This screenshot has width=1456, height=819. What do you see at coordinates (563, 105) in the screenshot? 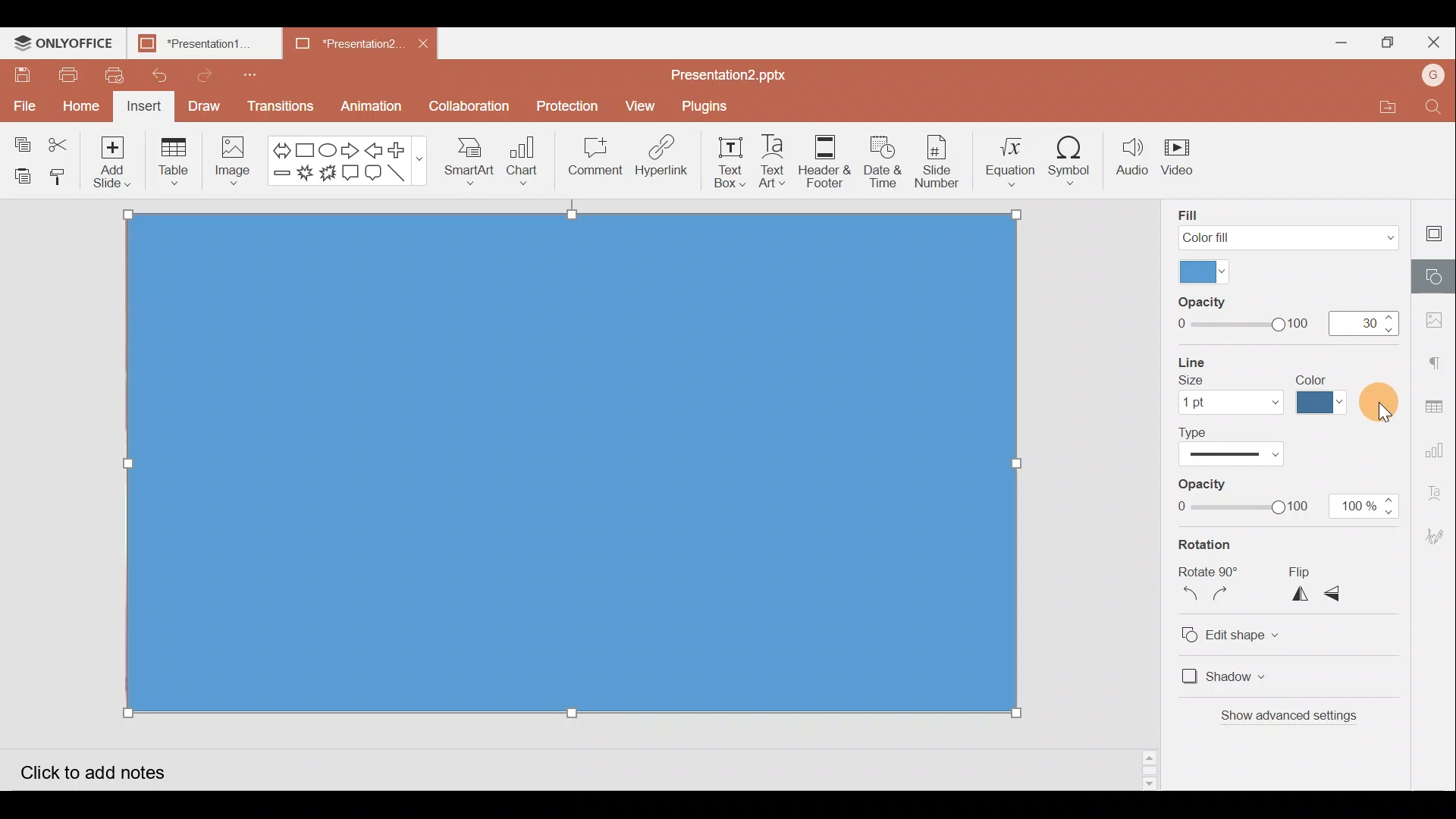
I see `Protection` at bounding box center [563, 105].